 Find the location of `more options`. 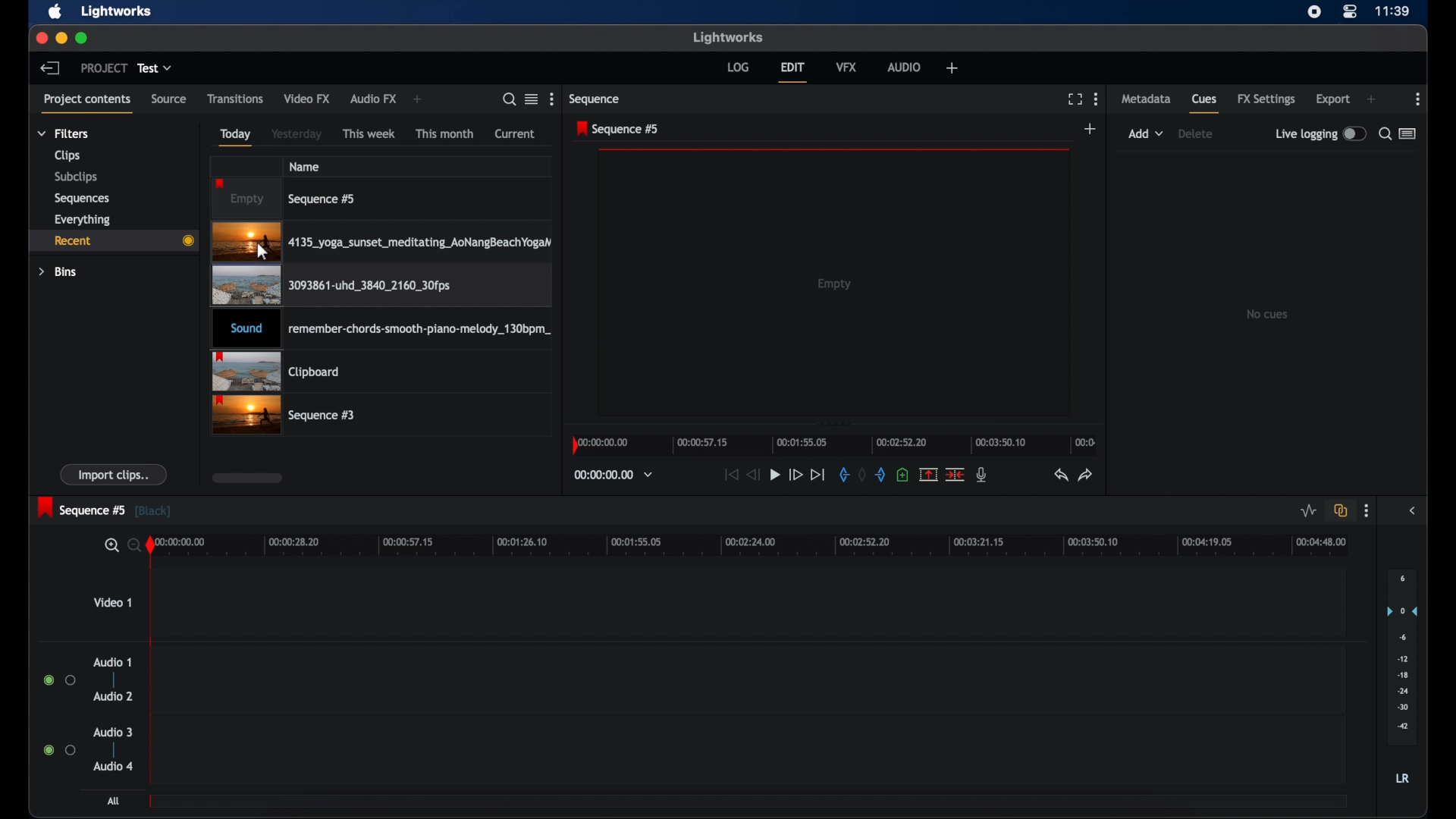

more options is located at coordinates (1096, 99).